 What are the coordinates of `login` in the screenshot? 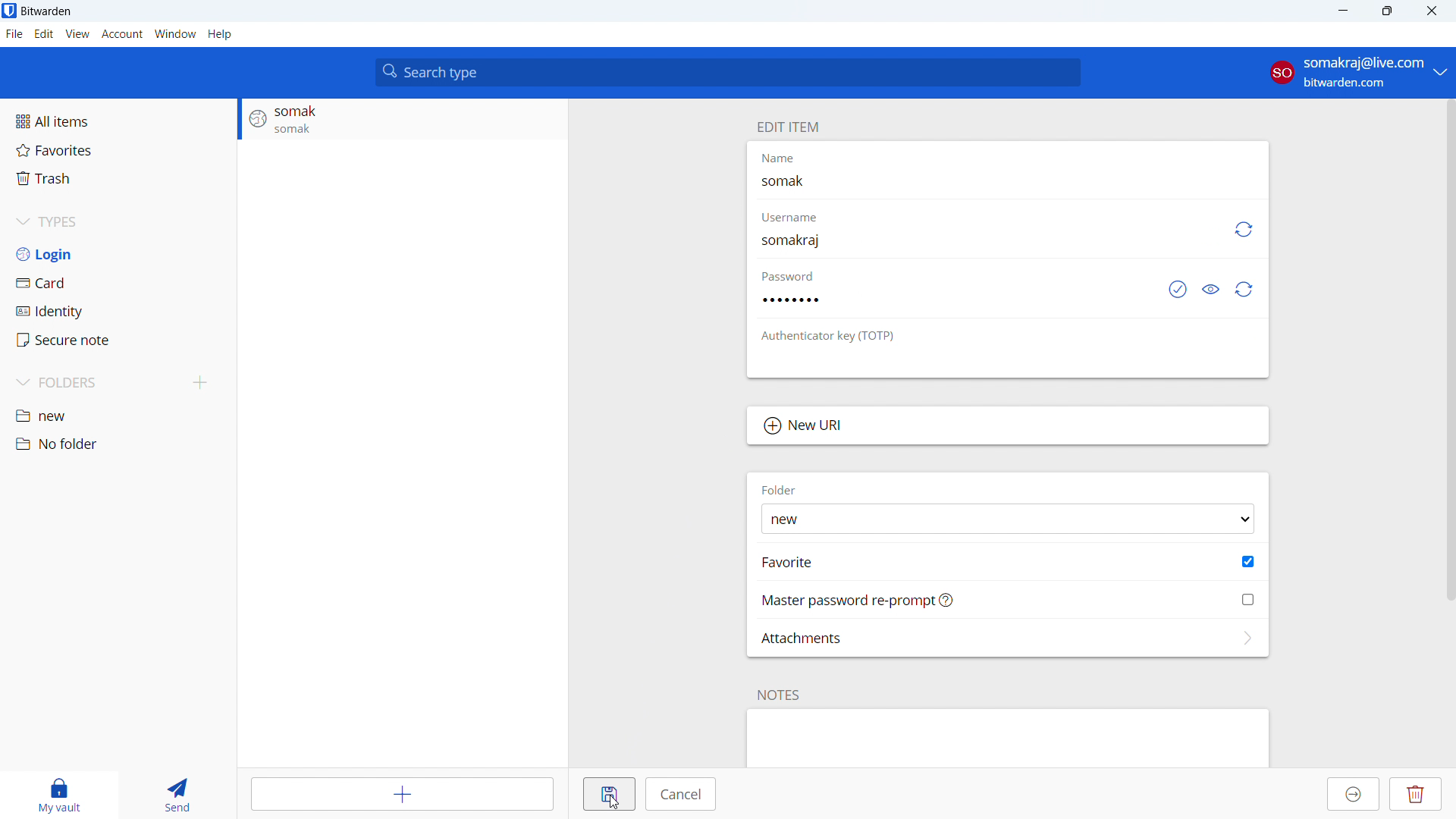 It's located at (118, 253).